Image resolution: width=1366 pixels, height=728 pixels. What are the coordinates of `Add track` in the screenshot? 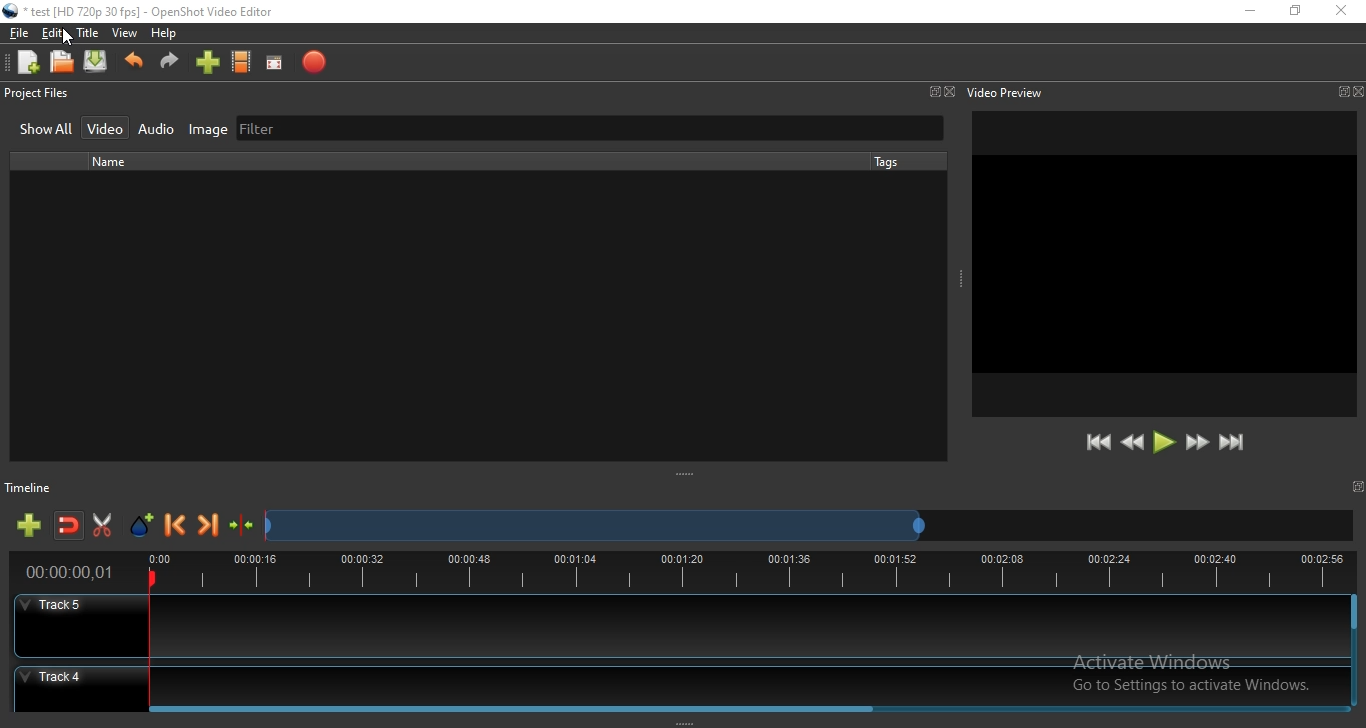 It's located at (31, 526).